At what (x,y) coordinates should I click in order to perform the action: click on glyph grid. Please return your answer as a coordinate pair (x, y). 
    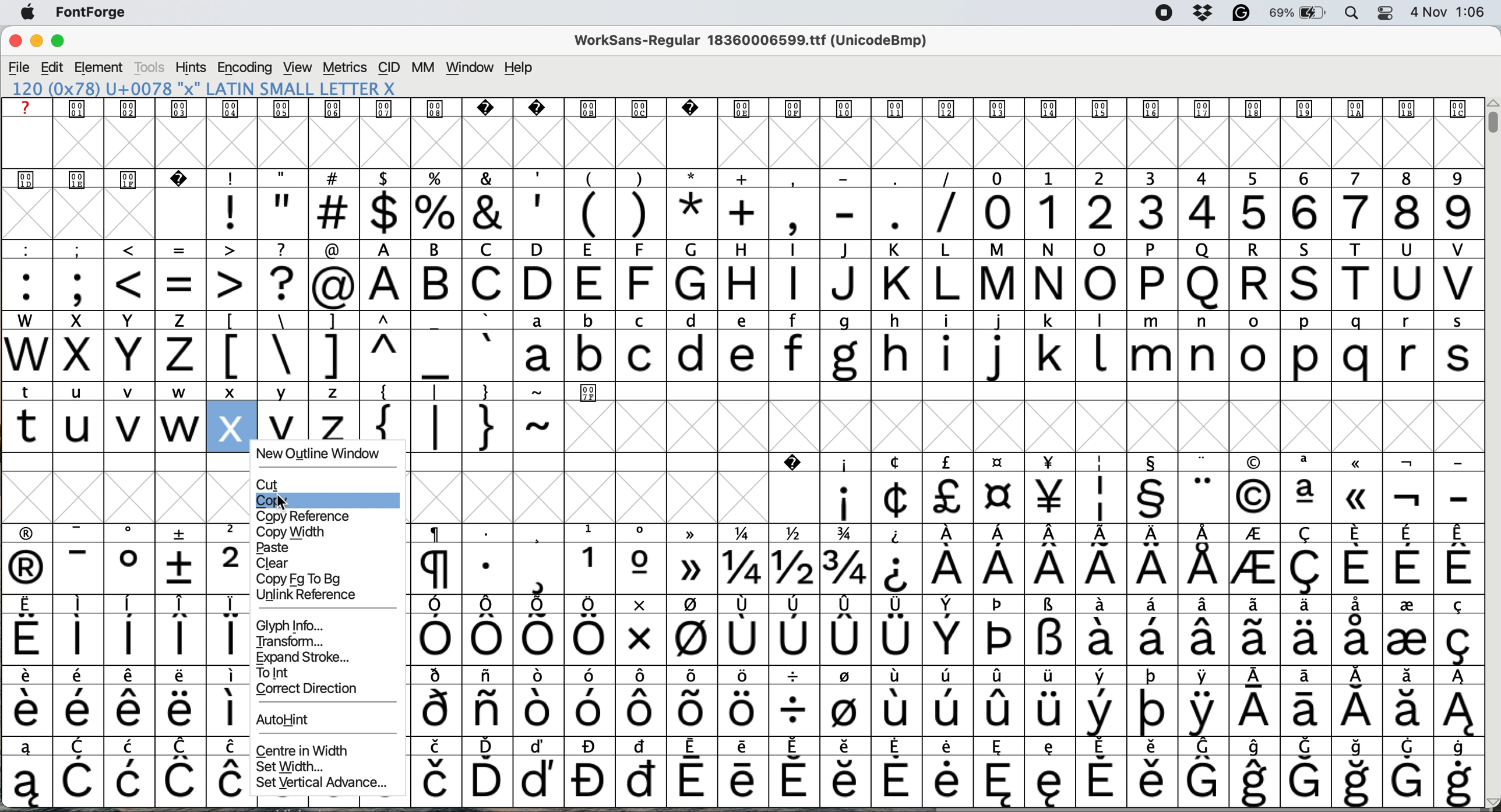
    Looking at the image, I should click on (749, 144).